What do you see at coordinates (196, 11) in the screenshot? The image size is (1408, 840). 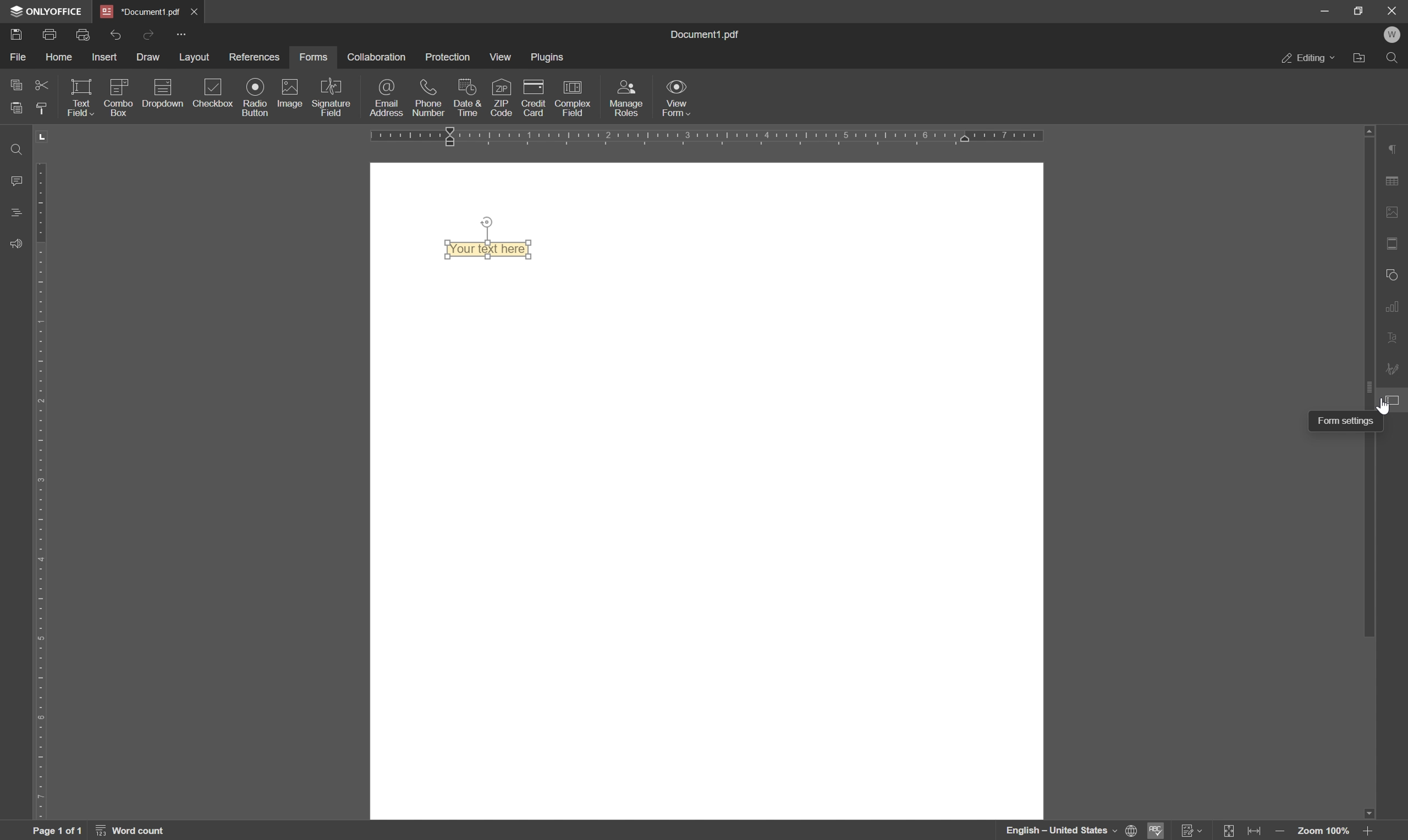 I see `*Document1.pdf` at bounding box center [196, 11].